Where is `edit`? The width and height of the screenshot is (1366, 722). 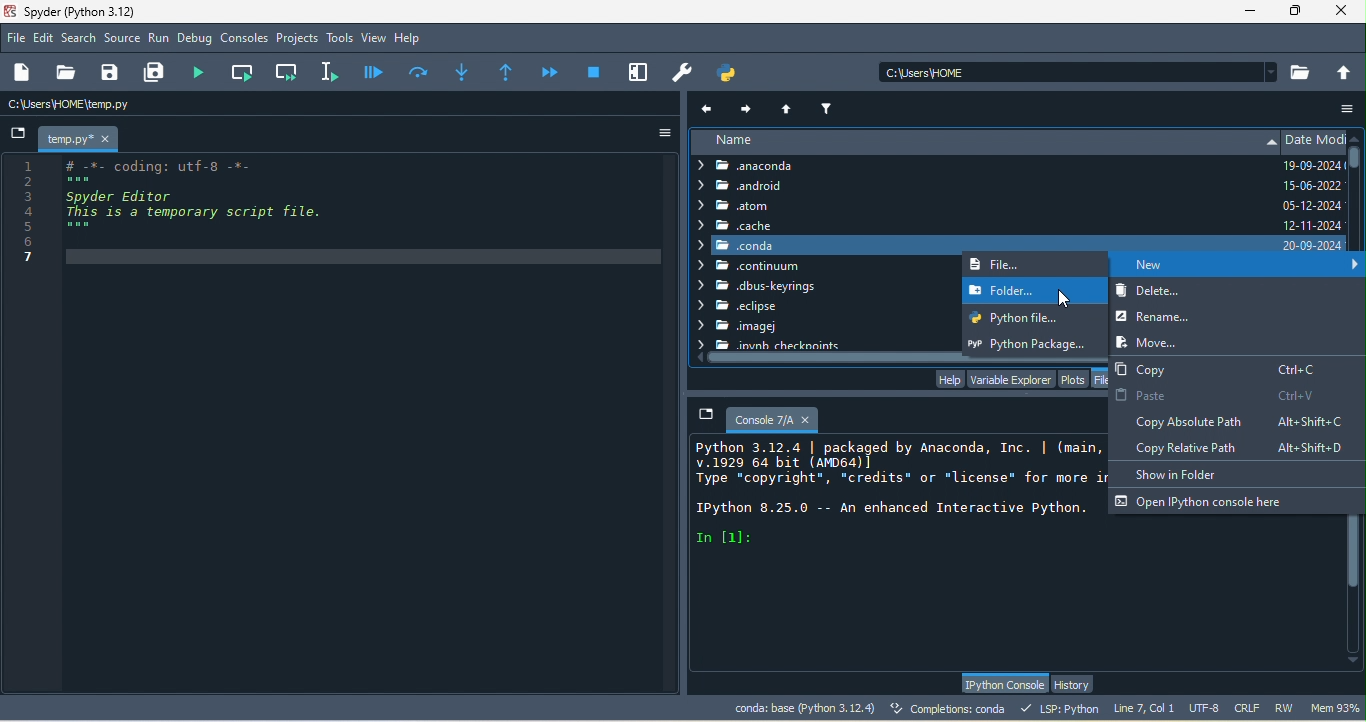 edit is located at coordinates (45, 39).